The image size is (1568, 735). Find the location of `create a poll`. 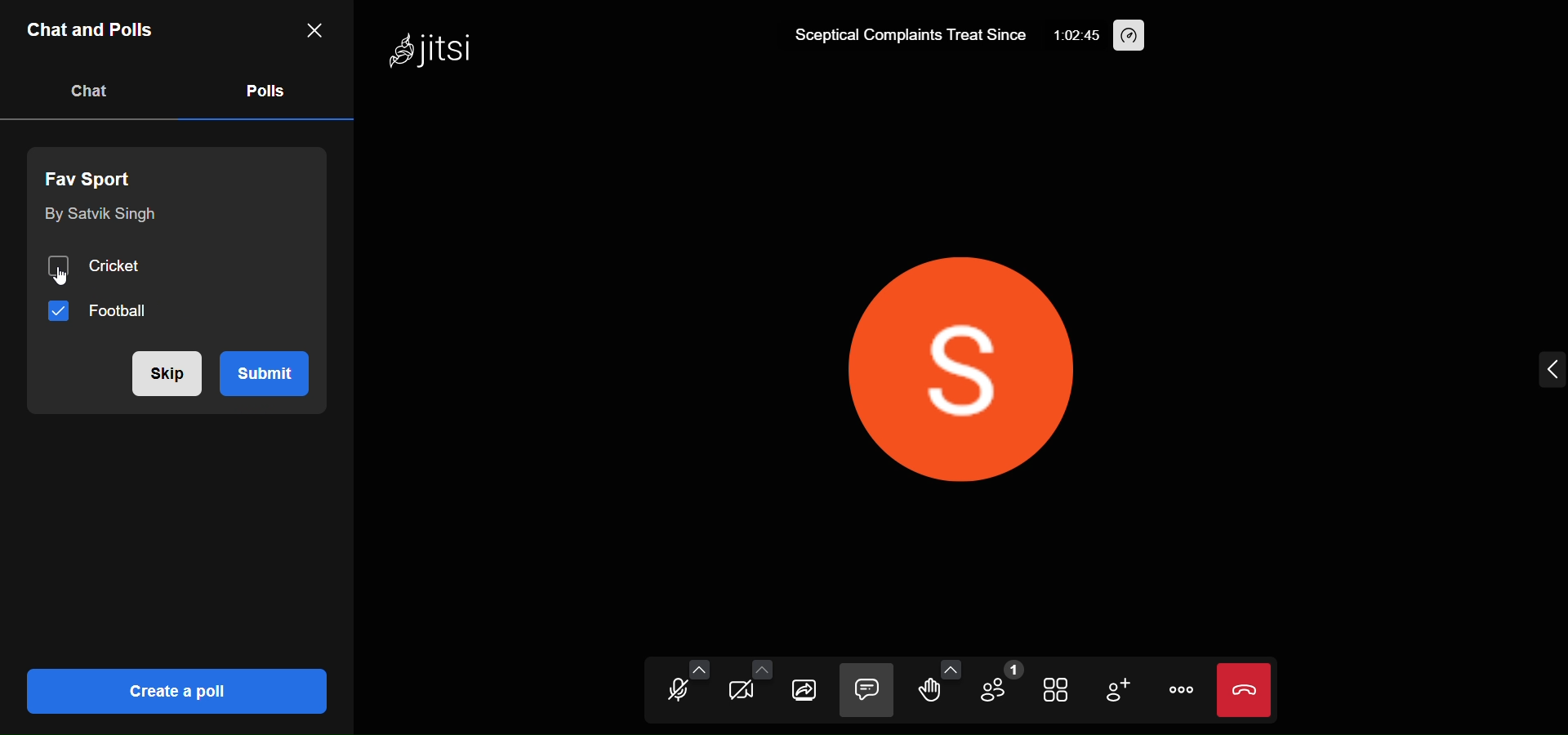

create a poll is located at coordinates (173, 690).